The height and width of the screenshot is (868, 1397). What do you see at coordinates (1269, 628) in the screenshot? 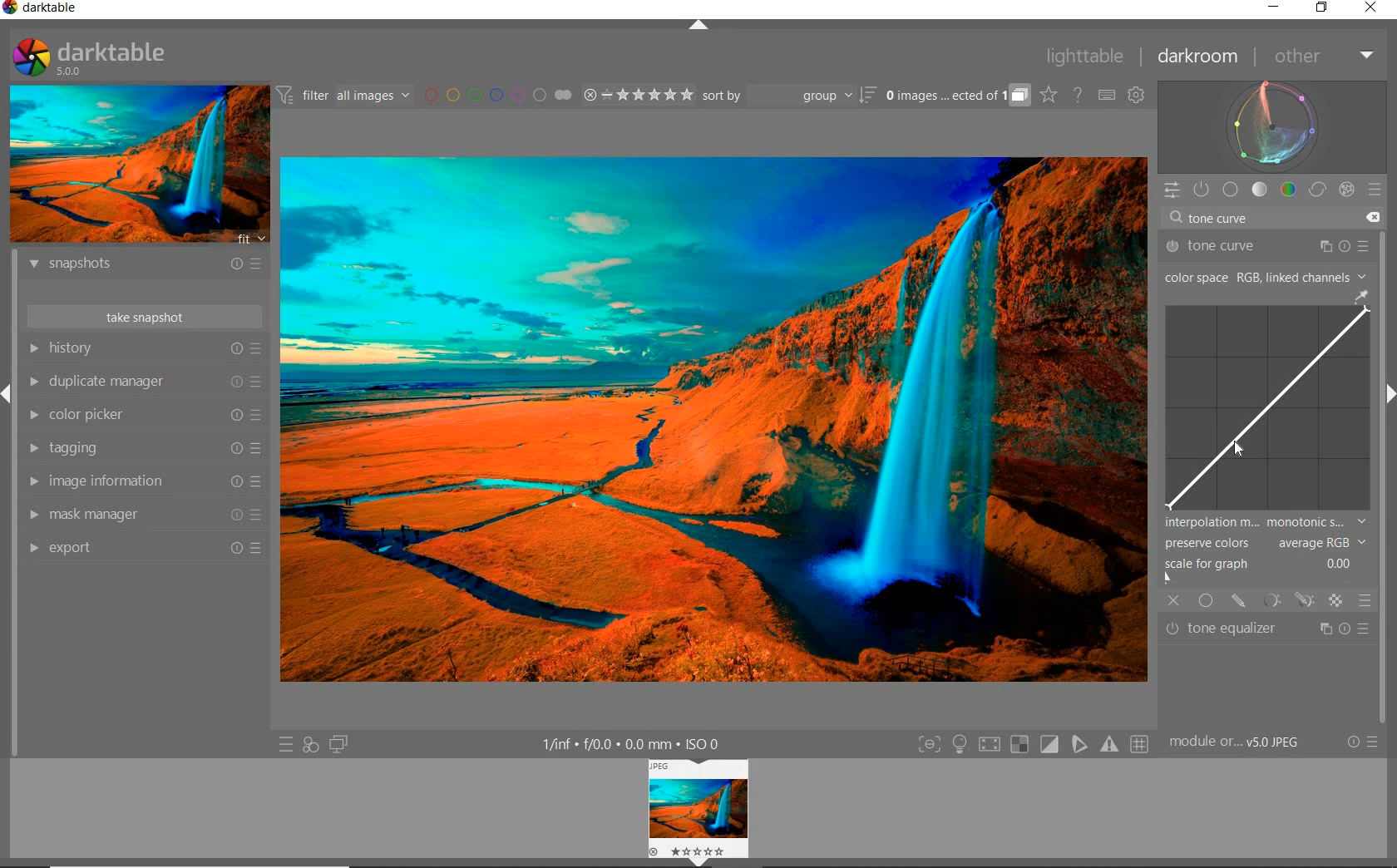
I see `tone equalizer` at bounding box center [1269, 628].